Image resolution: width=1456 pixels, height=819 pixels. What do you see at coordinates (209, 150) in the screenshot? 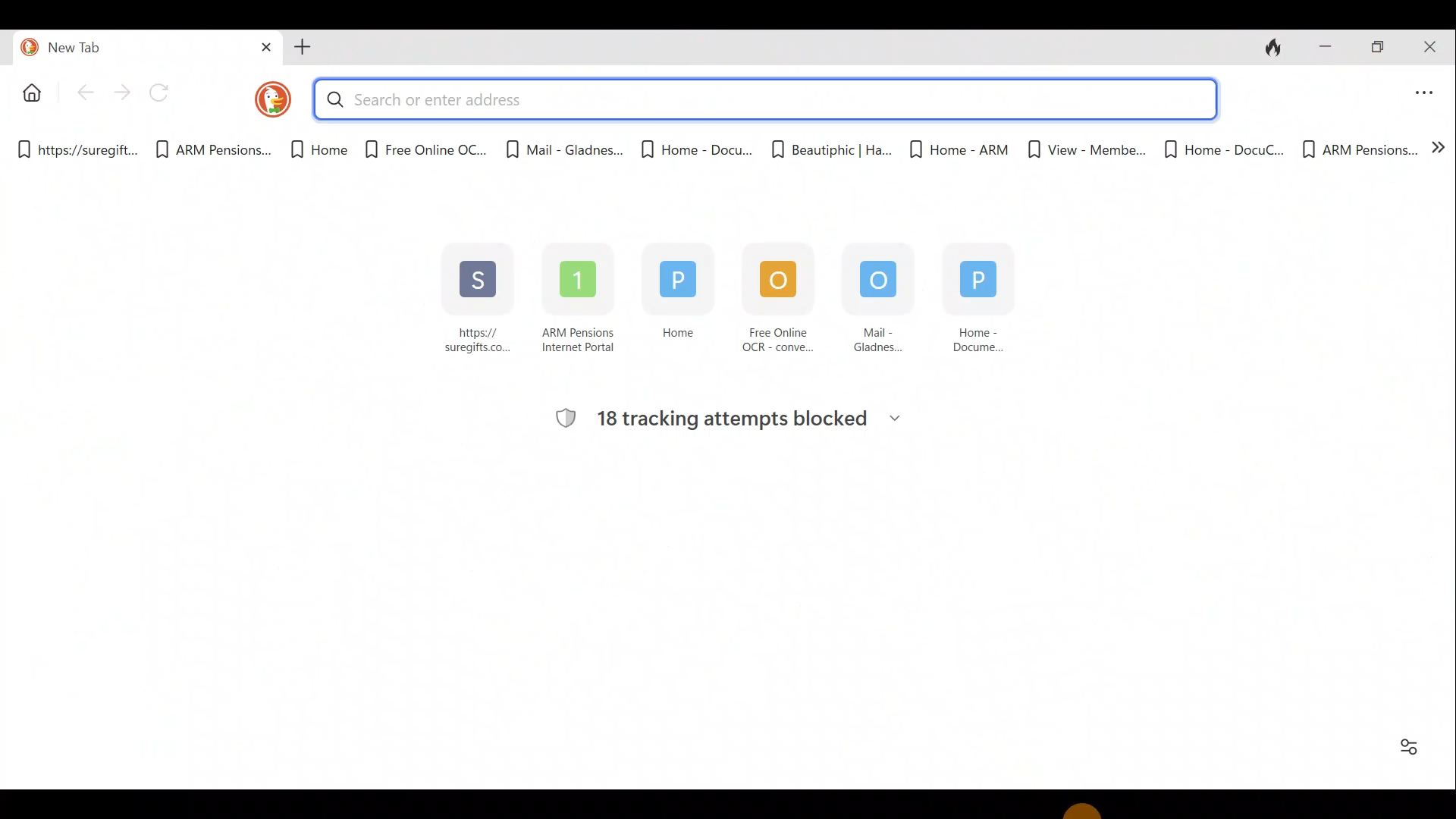
I see `ARM Pensions.` at bounding box center [209, 150].